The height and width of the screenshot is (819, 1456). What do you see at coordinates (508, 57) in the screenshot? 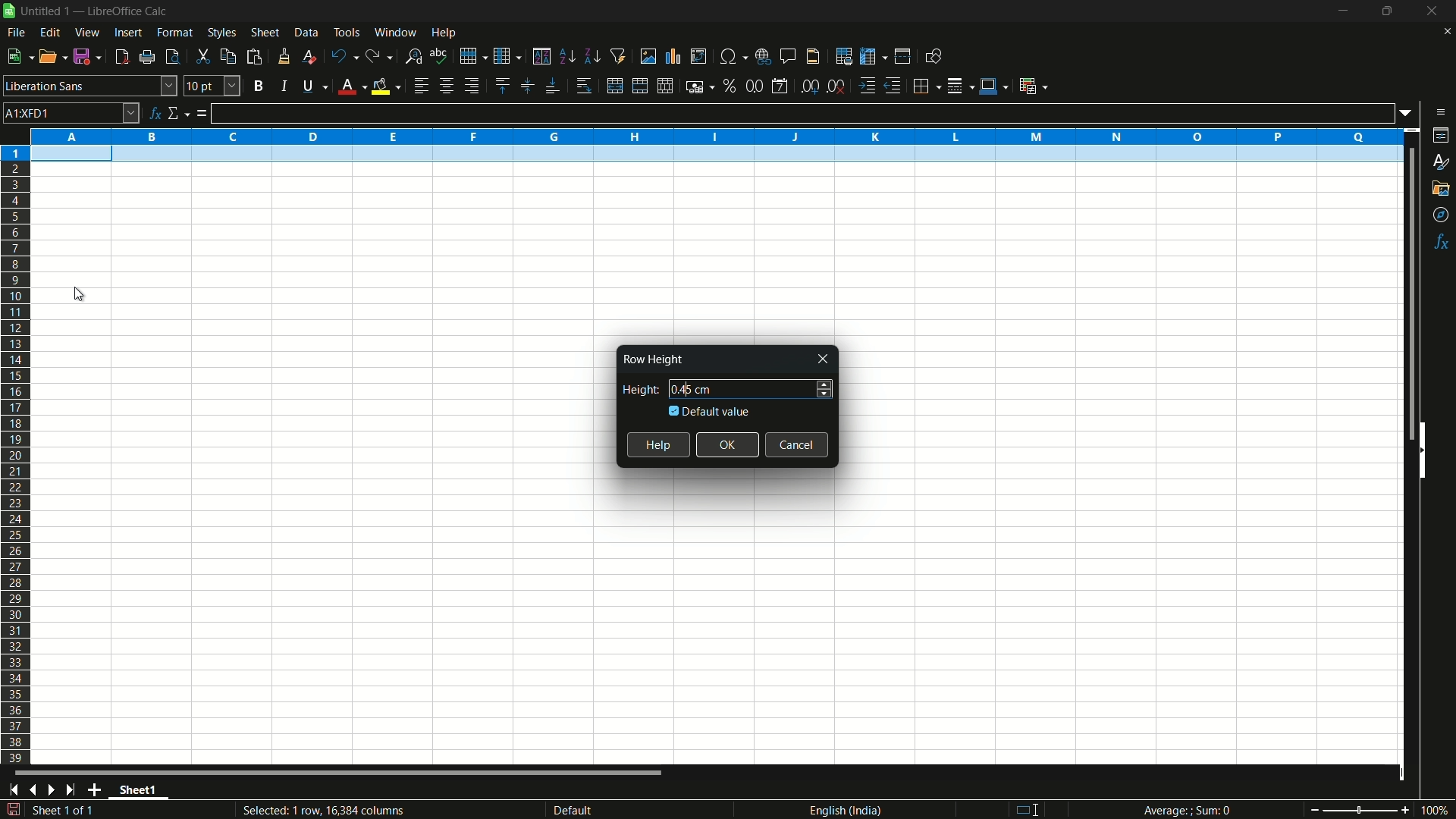
I see `column` at bounding box center [508, 57].